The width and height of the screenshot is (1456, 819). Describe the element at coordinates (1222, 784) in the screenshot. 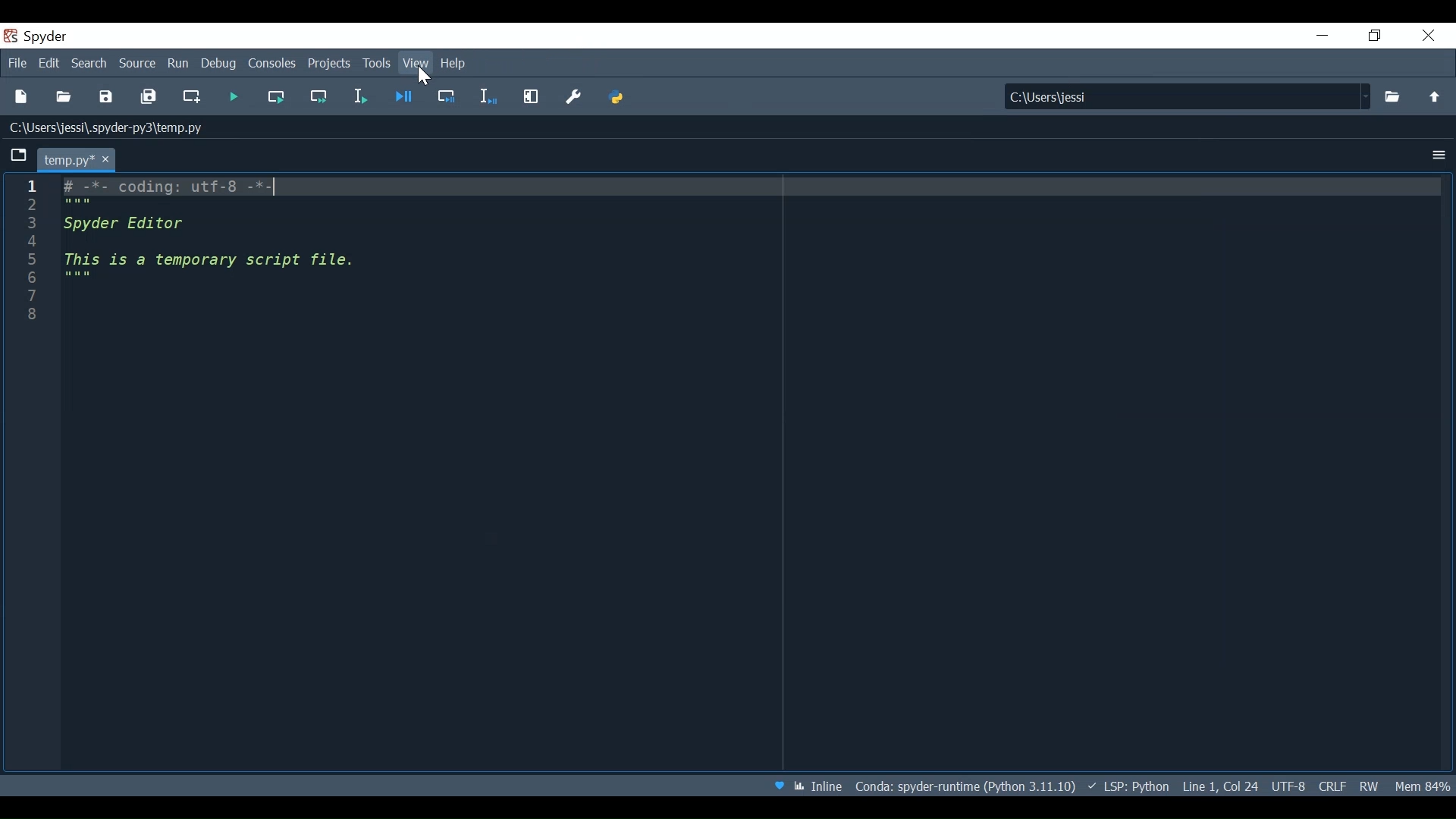

I see `Cursor Position` at that location.